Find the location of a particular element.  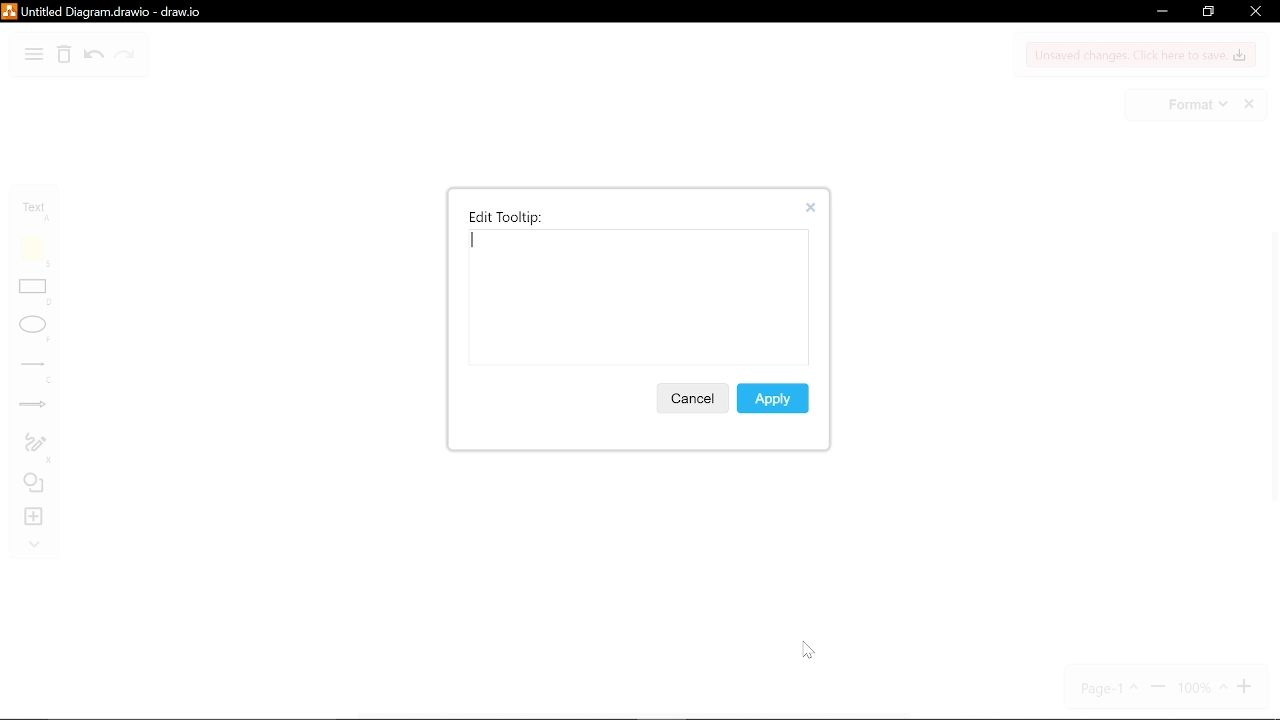

collapse is located at coordinates (34, 546).